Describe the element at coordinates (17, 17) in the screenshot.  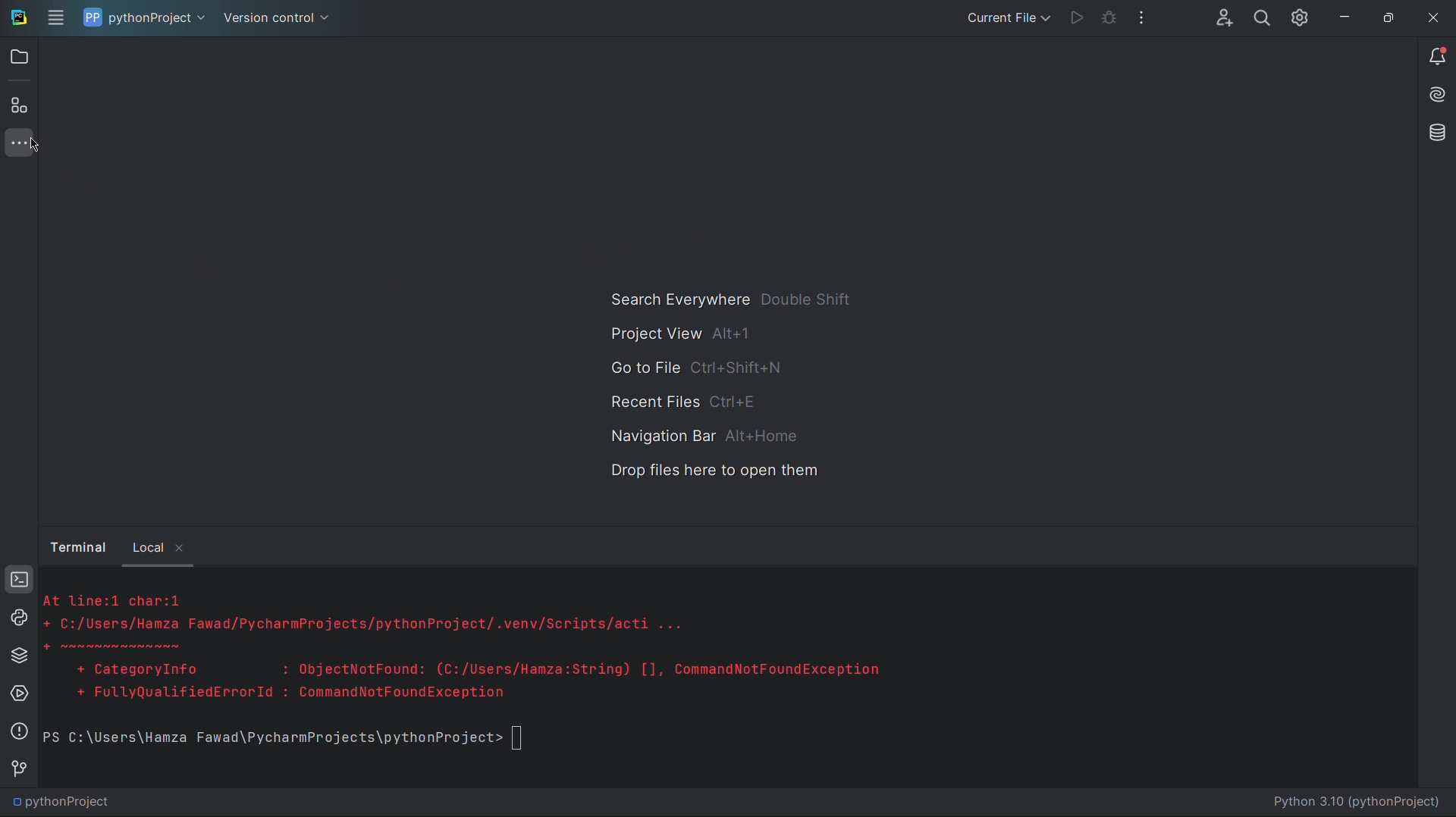
I see `Logo` at that location.